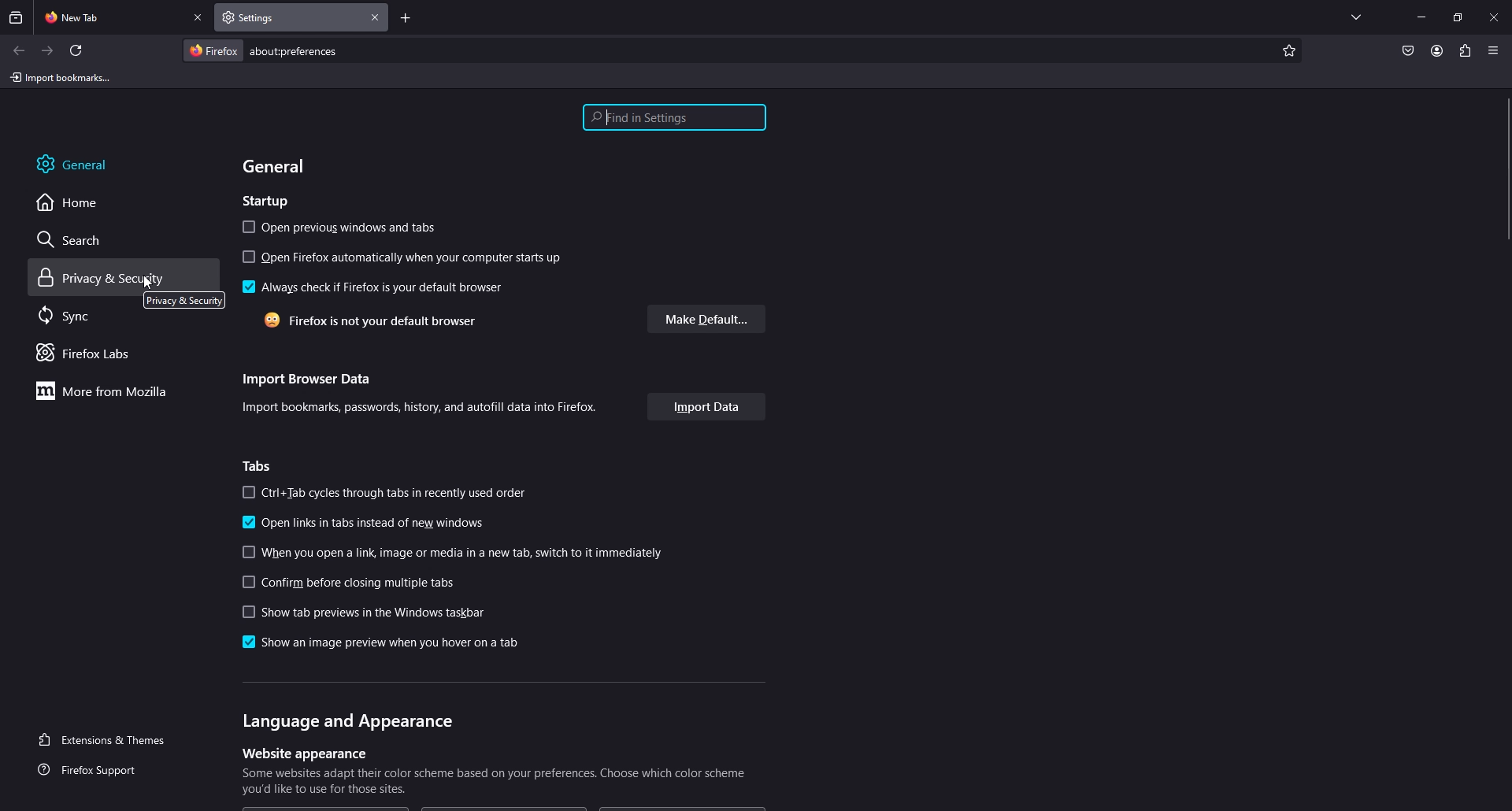 The height and width of the screenshot is (811, 1512). What do you see at coordinates (1492, 50) in the screenshot?
I see `application menu` at bounding box center [1492, 50].